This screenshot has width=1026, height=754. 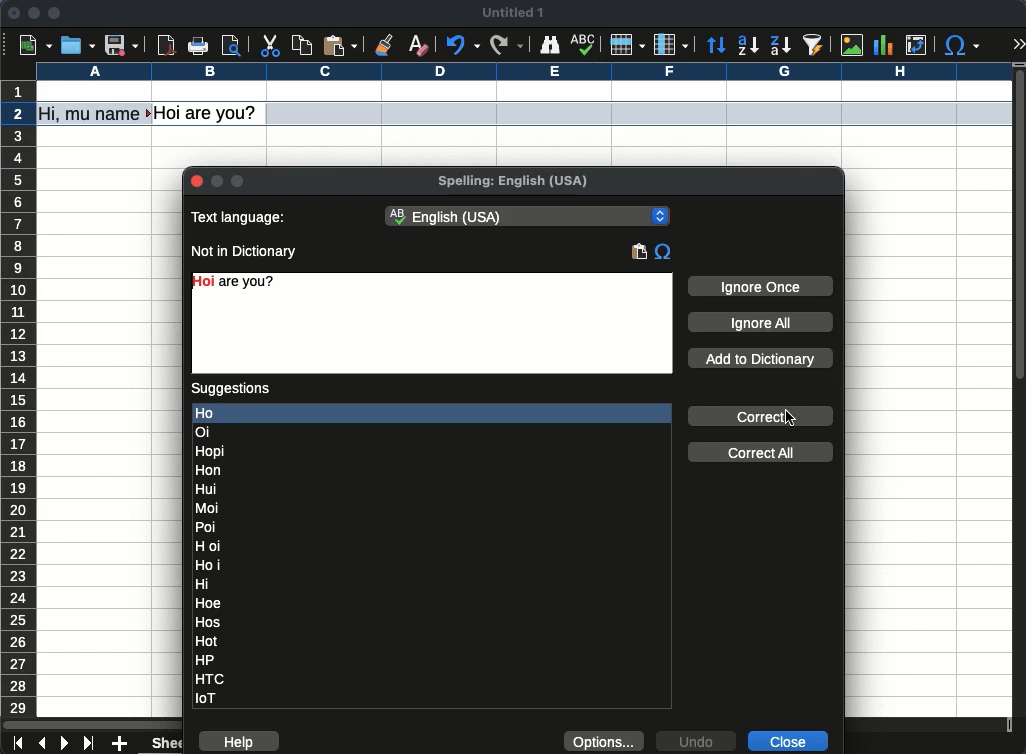 I want to click on new, so click(x=35, y=46).